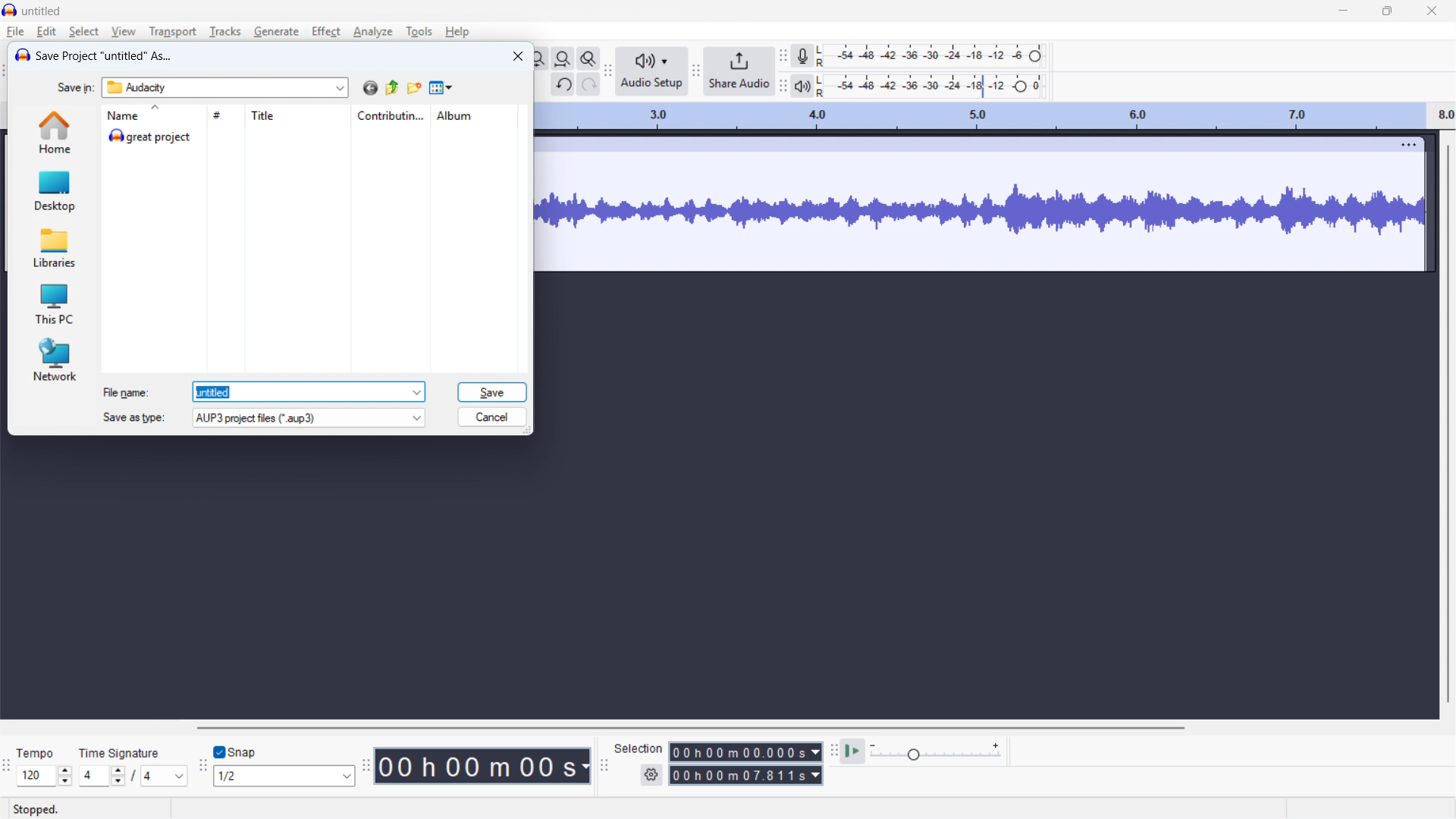 The image size is (1456, 819). Describe the element at coordinates (1341, 12) in the screenshot. I see `minimise ` at that location.